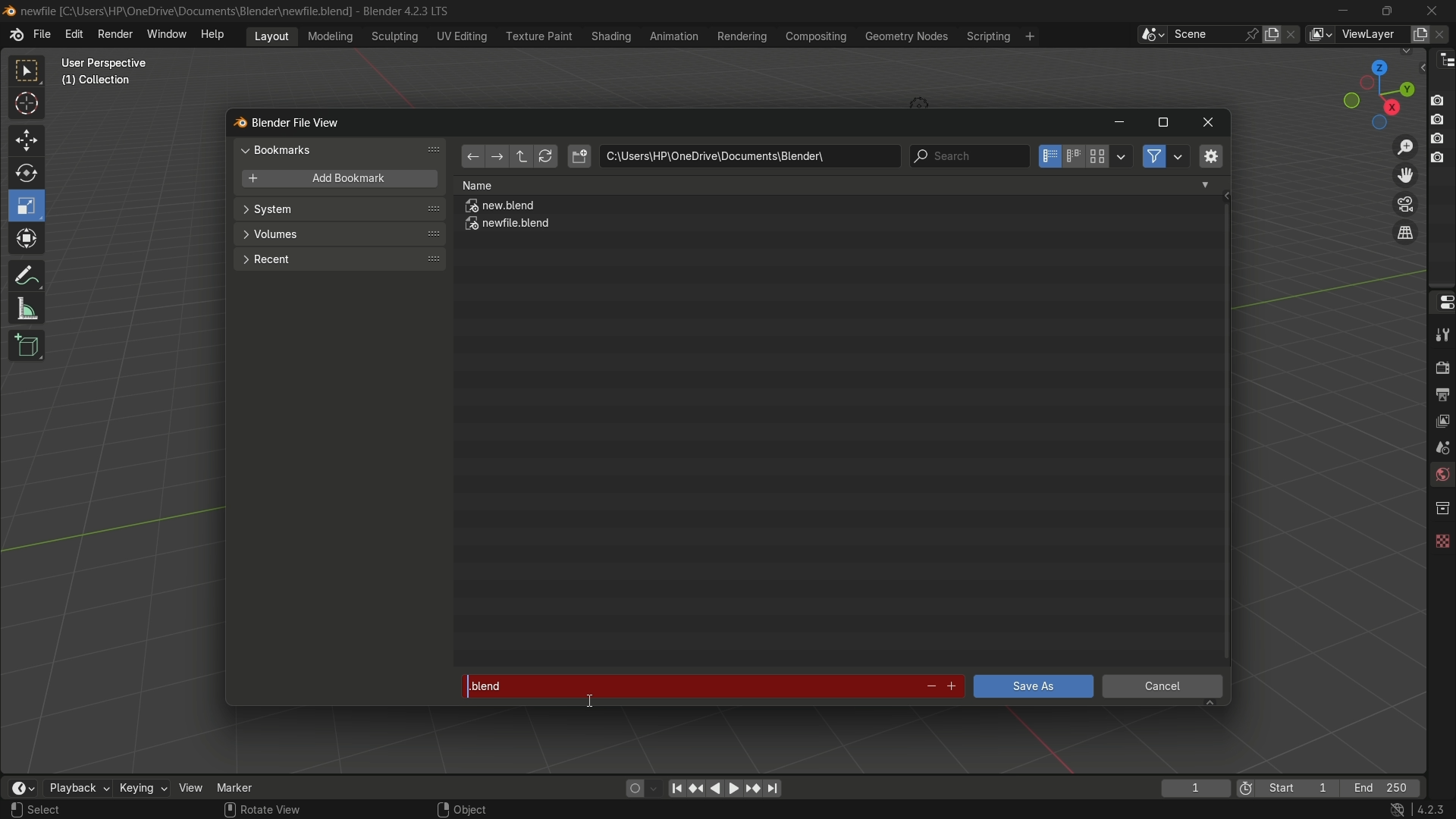  What do you see at coordinates (1405, 202) in the screenshot?
I see `toggle camera view layer` at bounding box center [1405, 202].